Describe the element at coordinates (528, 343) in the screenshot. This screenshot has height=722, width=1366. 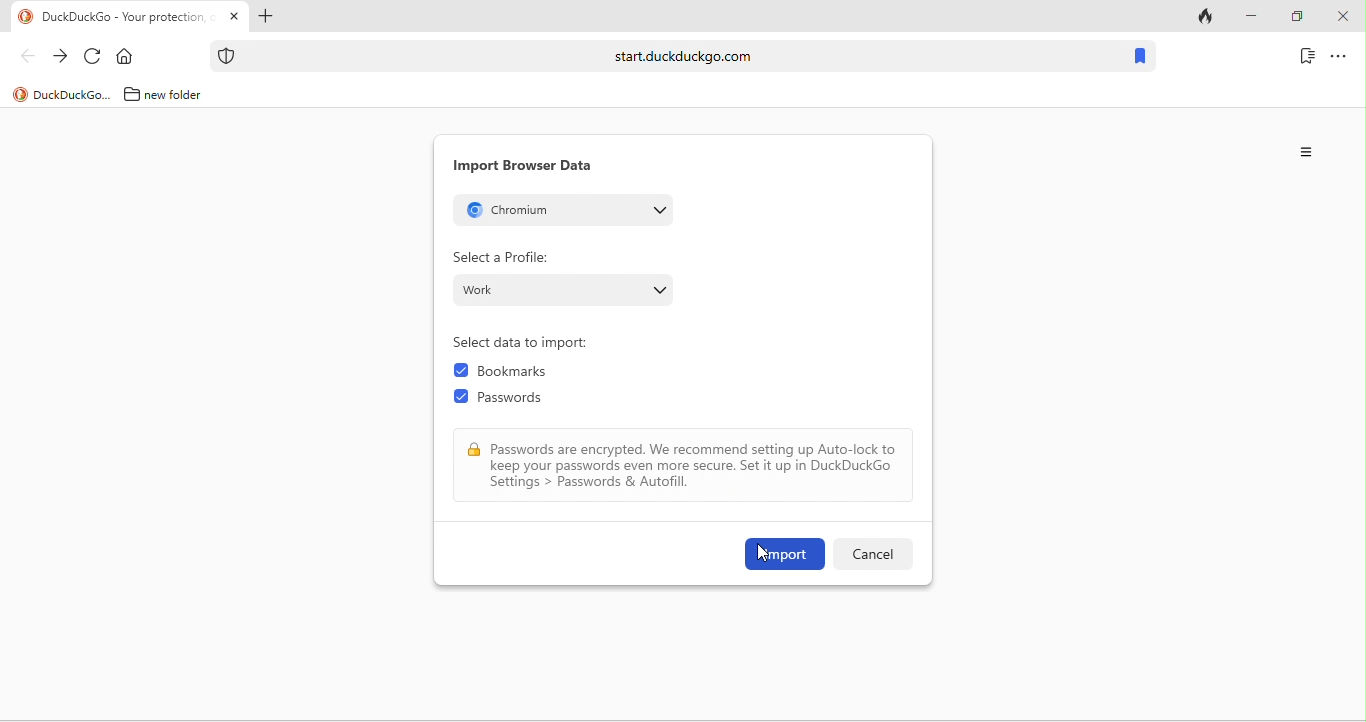
I see `select data to import` at that location.